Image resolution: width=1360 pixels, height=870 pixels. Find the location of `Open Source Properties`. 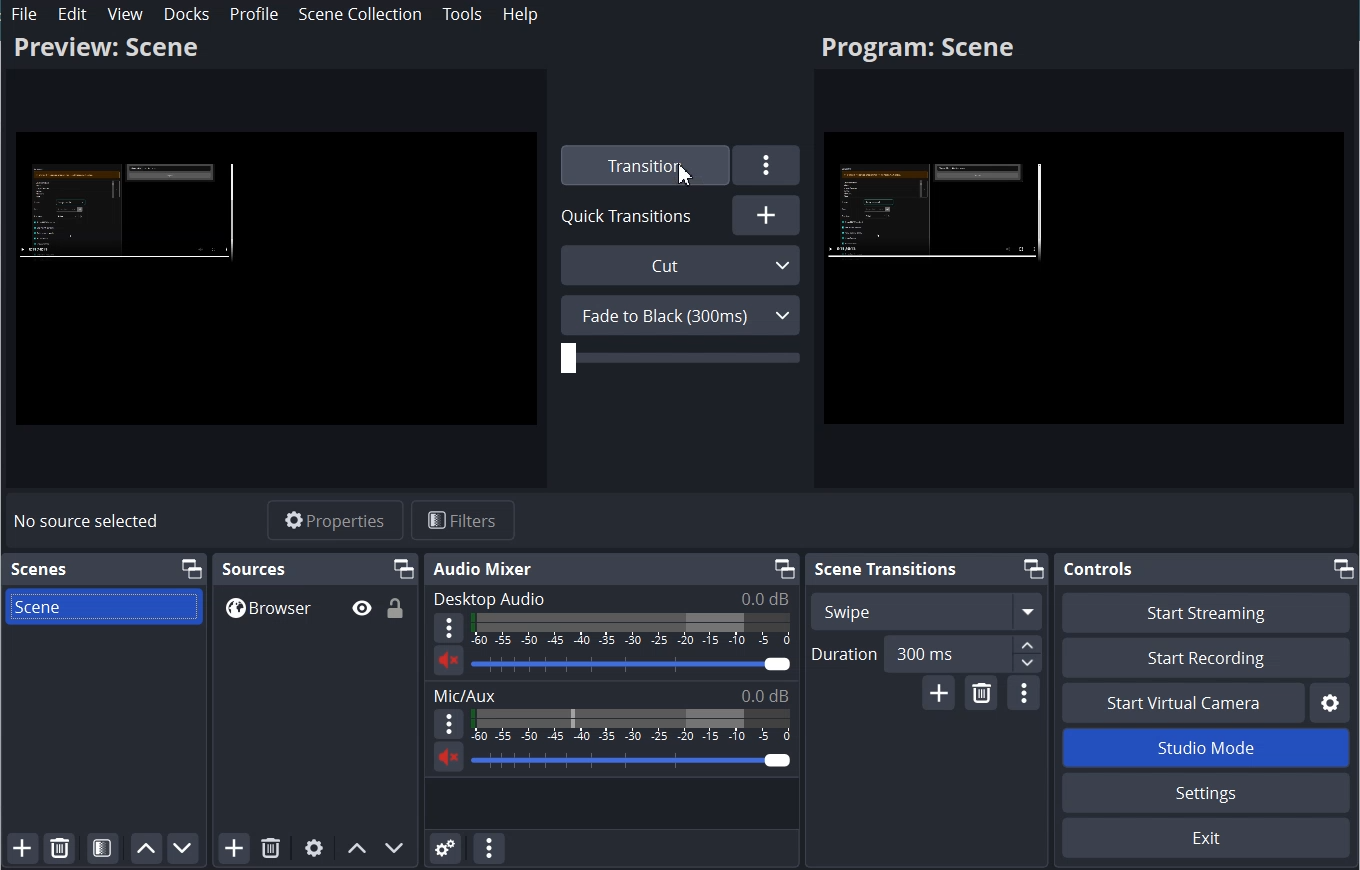

Open Source Properties is located at coordinates (313, 848).